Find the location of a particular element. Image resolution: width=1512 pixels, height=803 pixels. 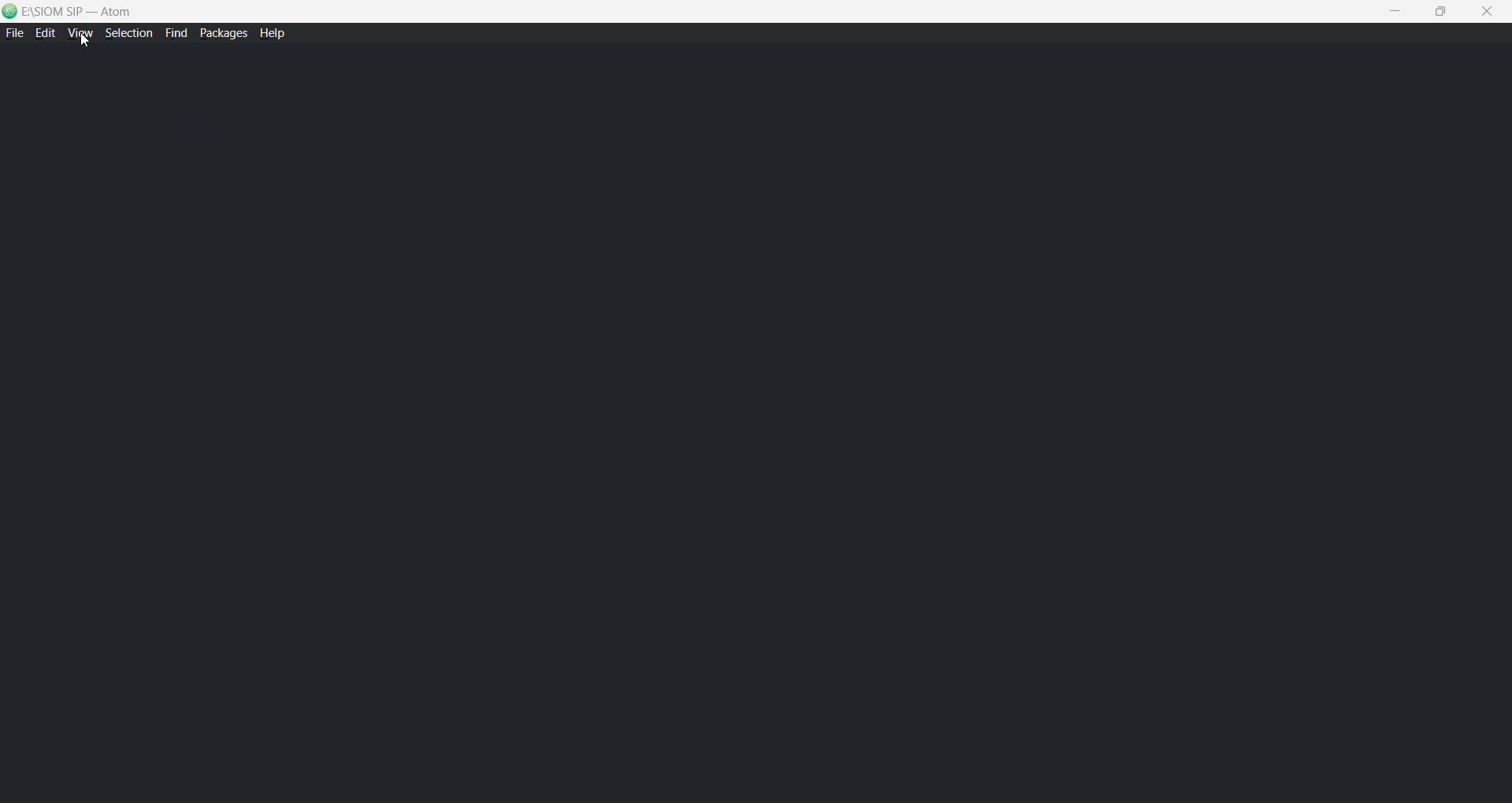

packages is located at coordinates (220, 32).